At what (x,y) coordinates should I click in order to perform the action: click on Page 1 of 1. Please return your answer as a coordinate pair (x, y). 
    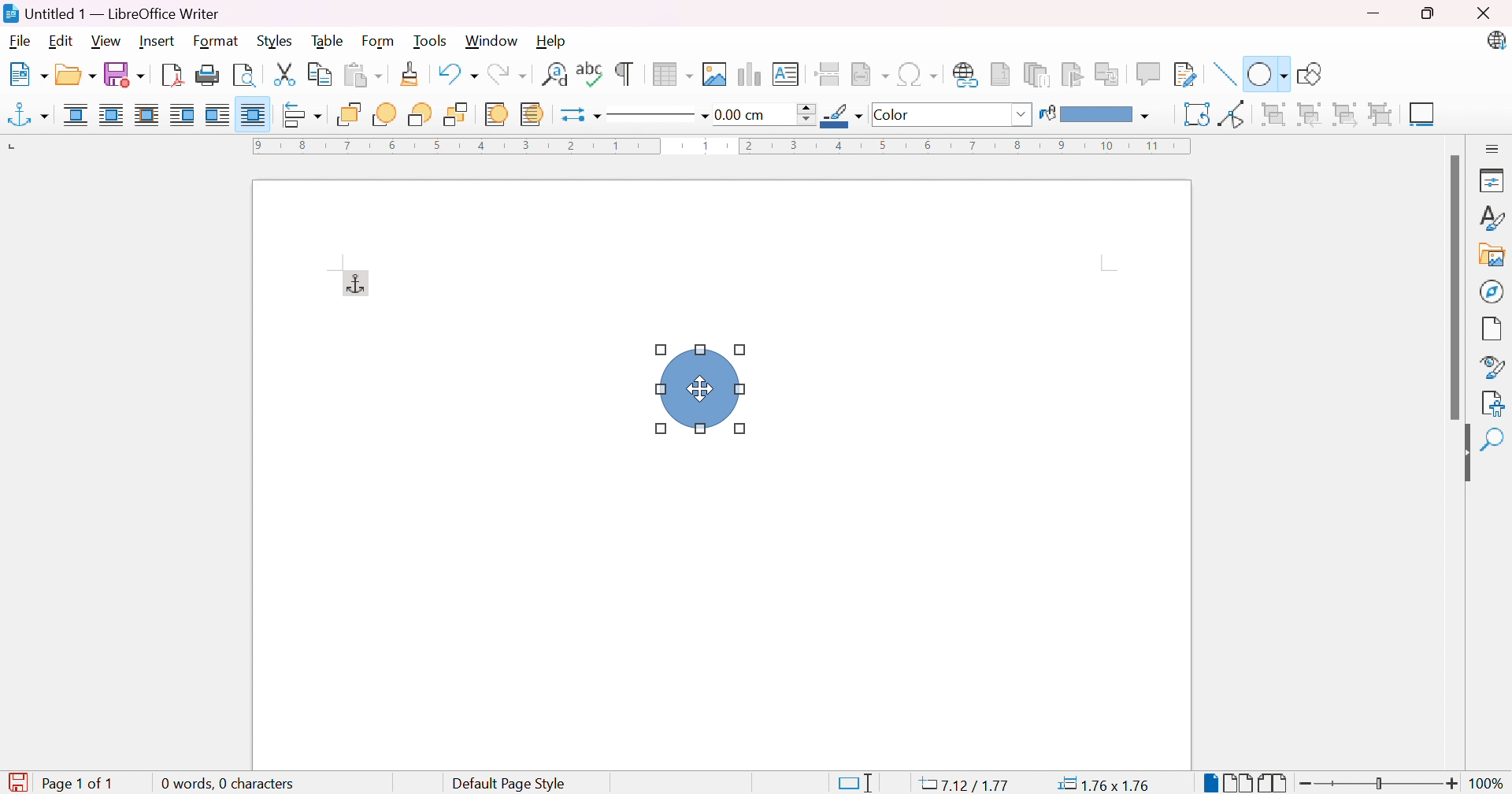
    Looking at the image, I should click on (84, 783).